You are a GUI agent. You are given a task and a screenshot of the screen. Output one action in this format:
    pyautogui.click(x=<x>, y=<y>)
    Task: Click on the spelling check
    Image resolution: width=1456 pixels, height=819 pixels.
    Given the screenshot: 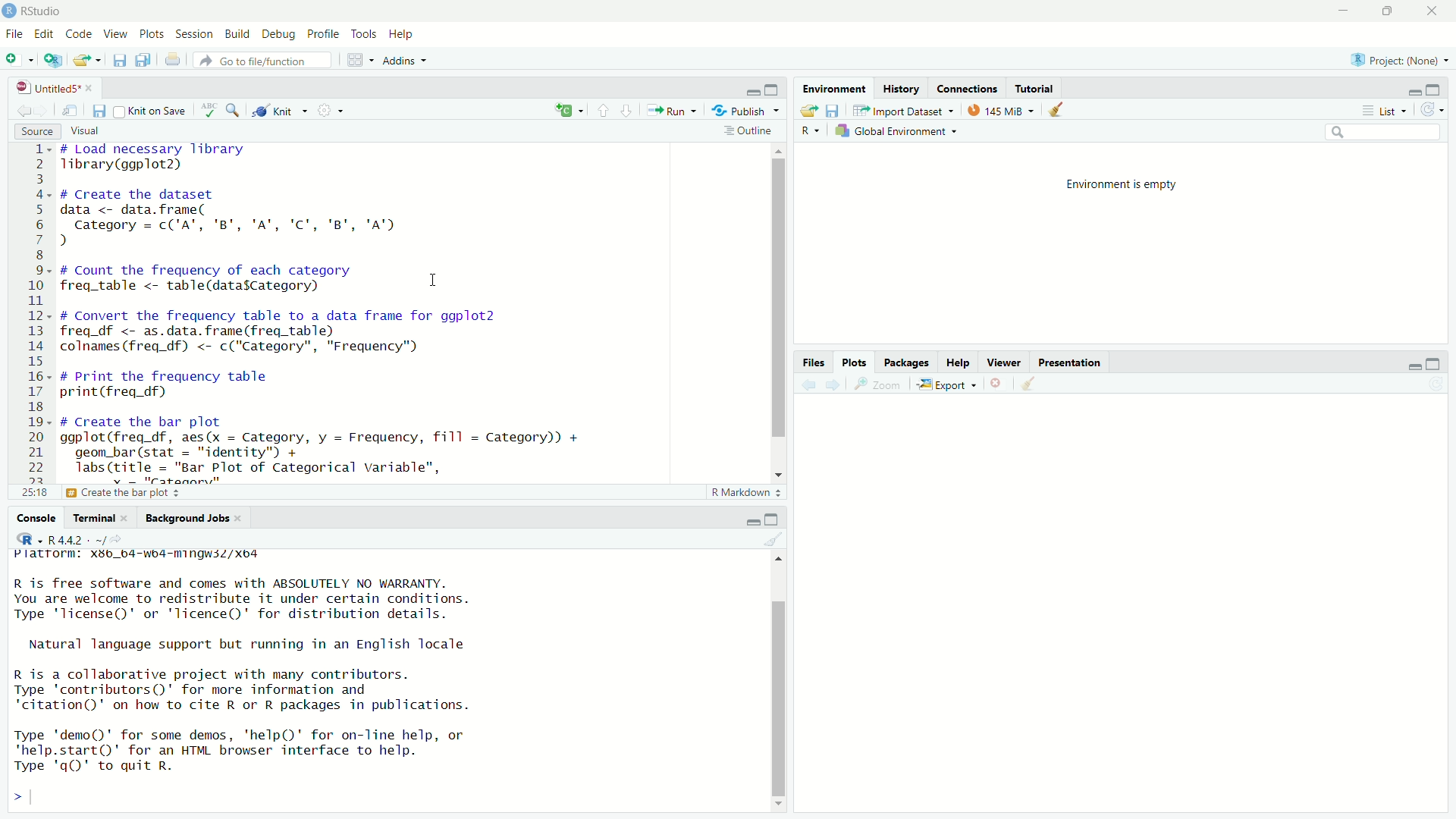 What is the action you would take?
    pyautogui.click(x=210, y=111)
    